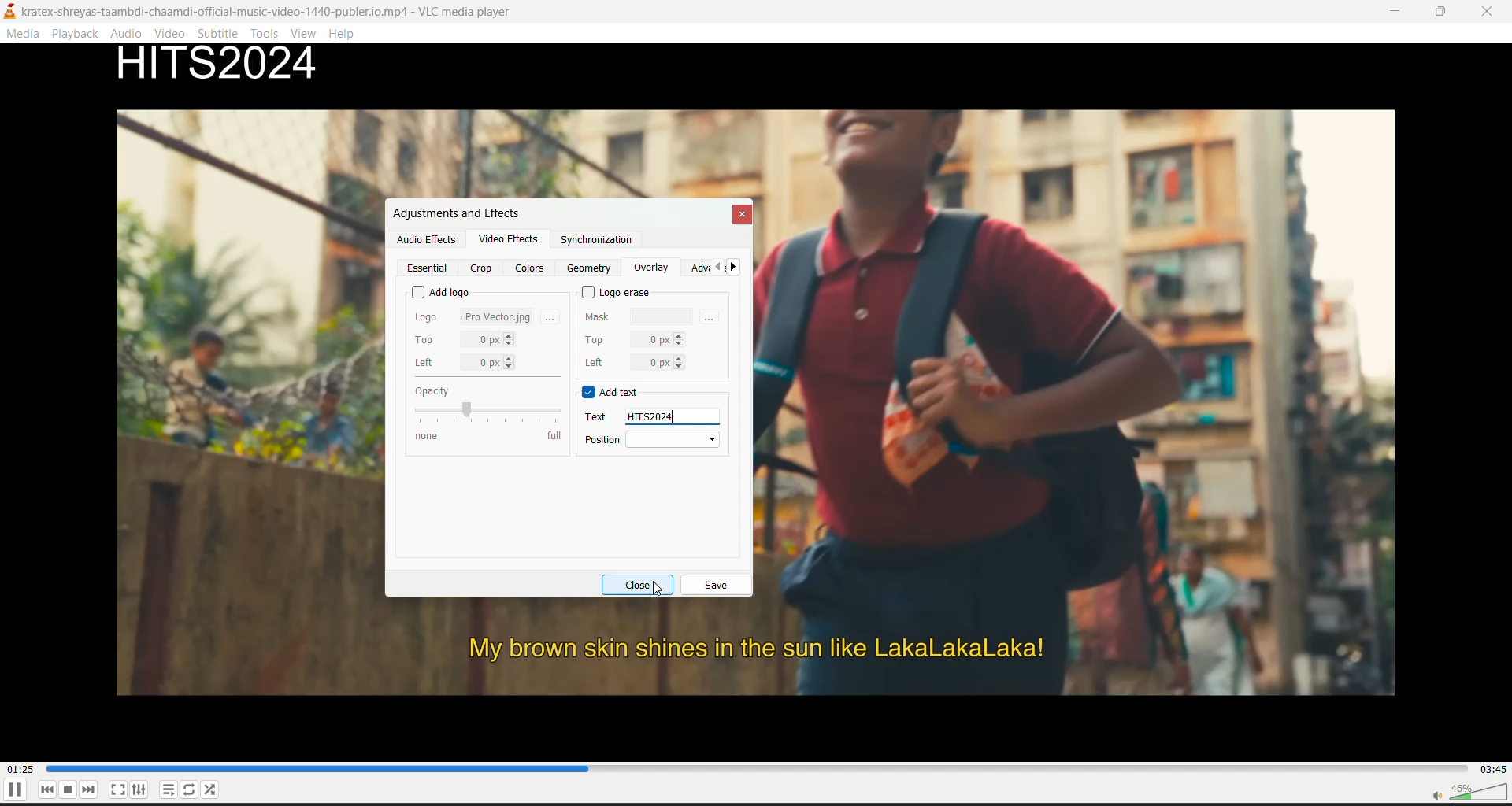 This screenshot has width=1512, height=806. What do you see at coordinates (94, 789) in the screenshot?
I see `next` at bounding box center [94, 789].